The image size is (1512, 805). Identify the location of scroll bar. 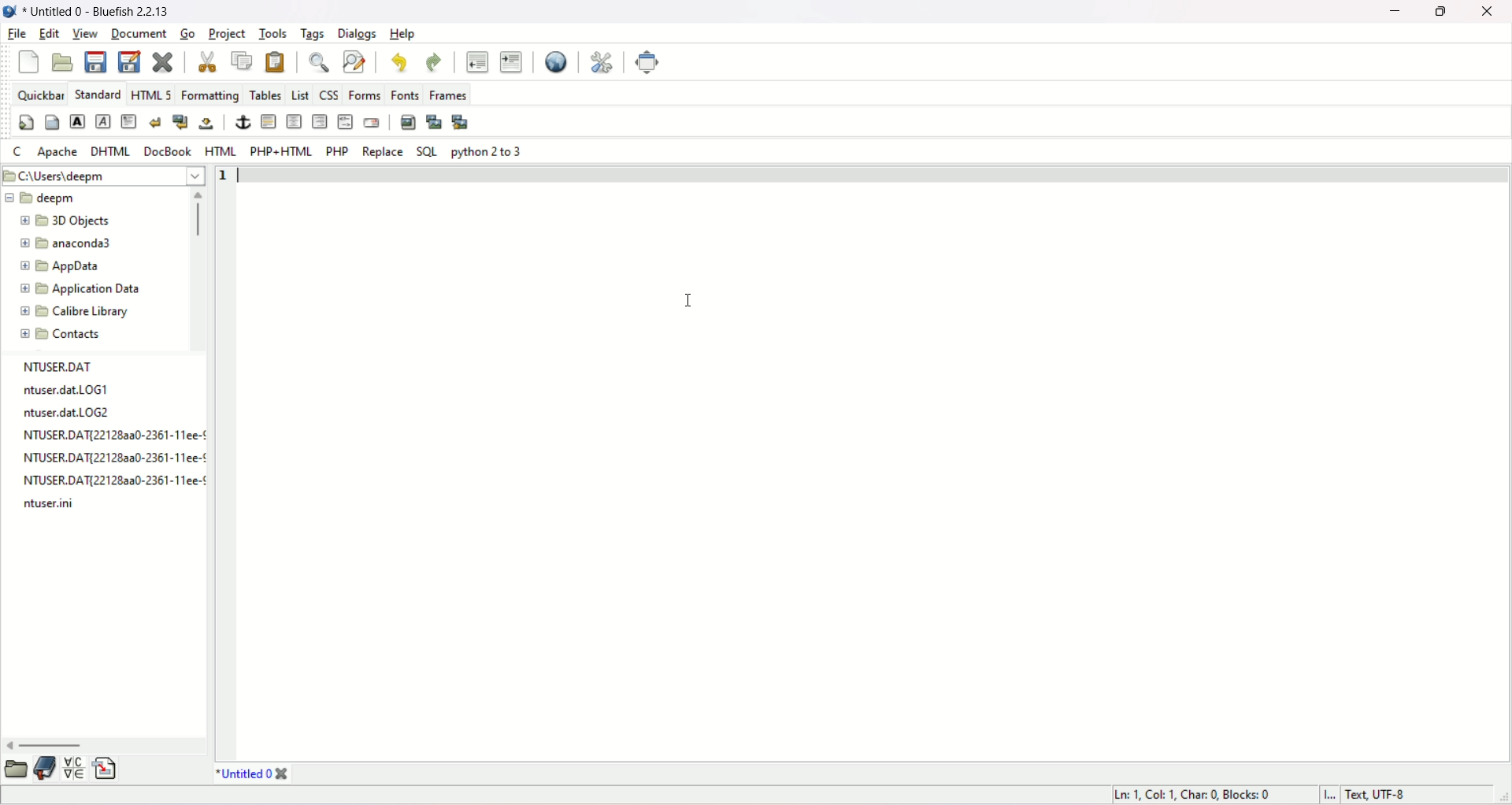
(103, 745).